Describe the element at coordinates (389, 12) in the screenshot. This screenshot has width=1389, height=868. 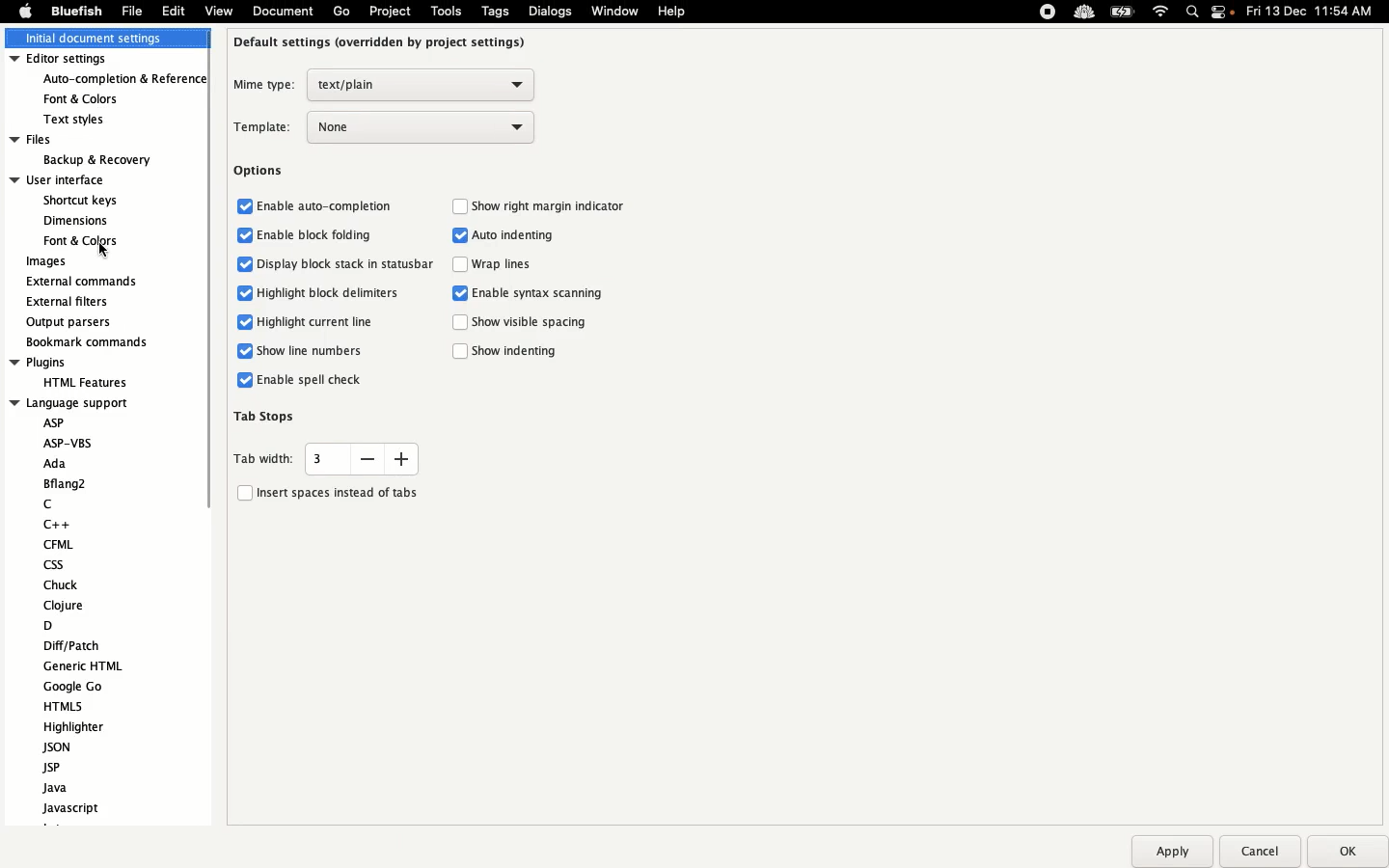
I see `Project` at that location.